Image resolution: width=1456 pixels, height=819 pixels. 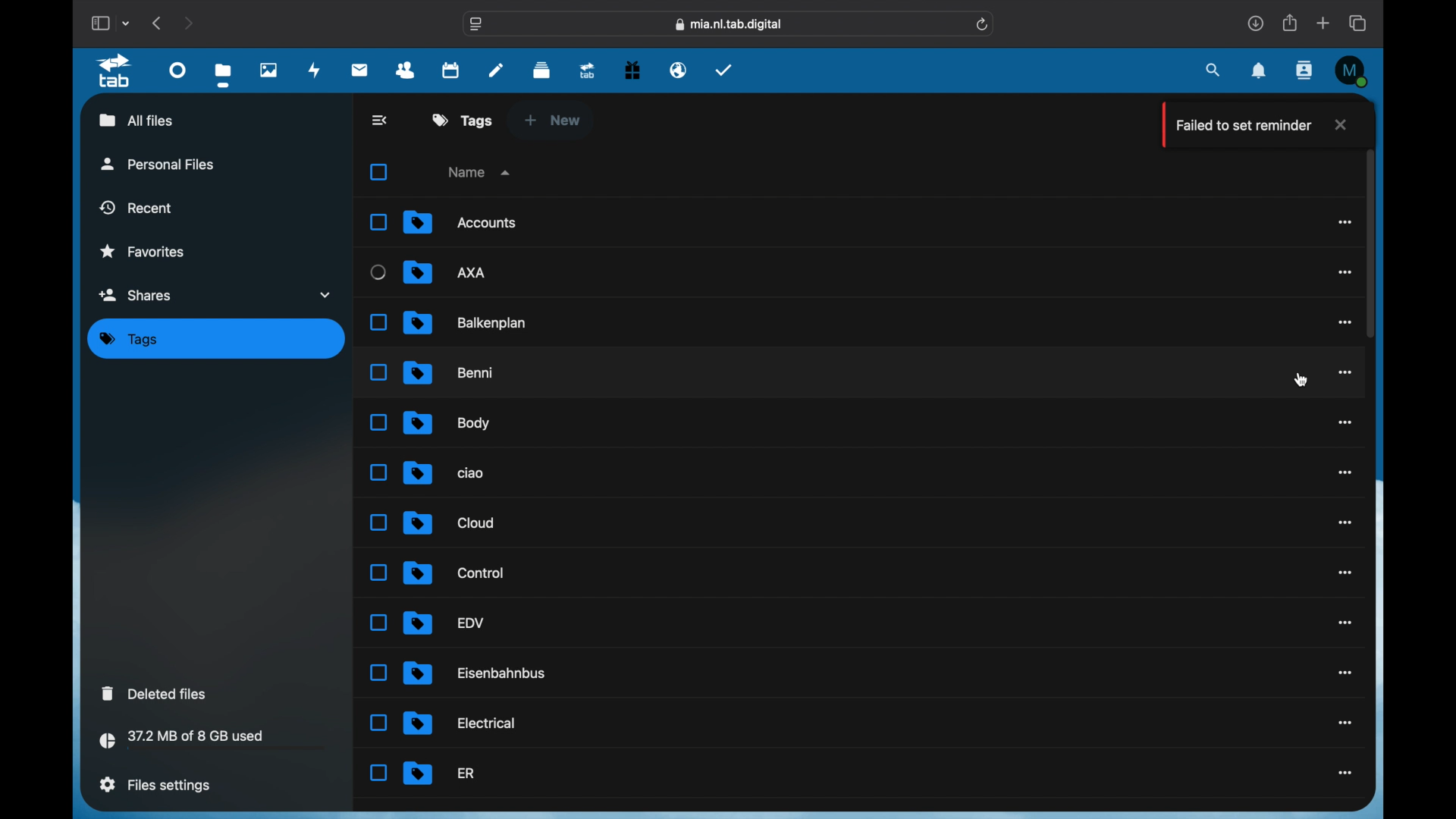 What do you see at coordinates (379, 221) in the screenshot?
I see `Unselected Checkbox` at bounding box center [379, 221].